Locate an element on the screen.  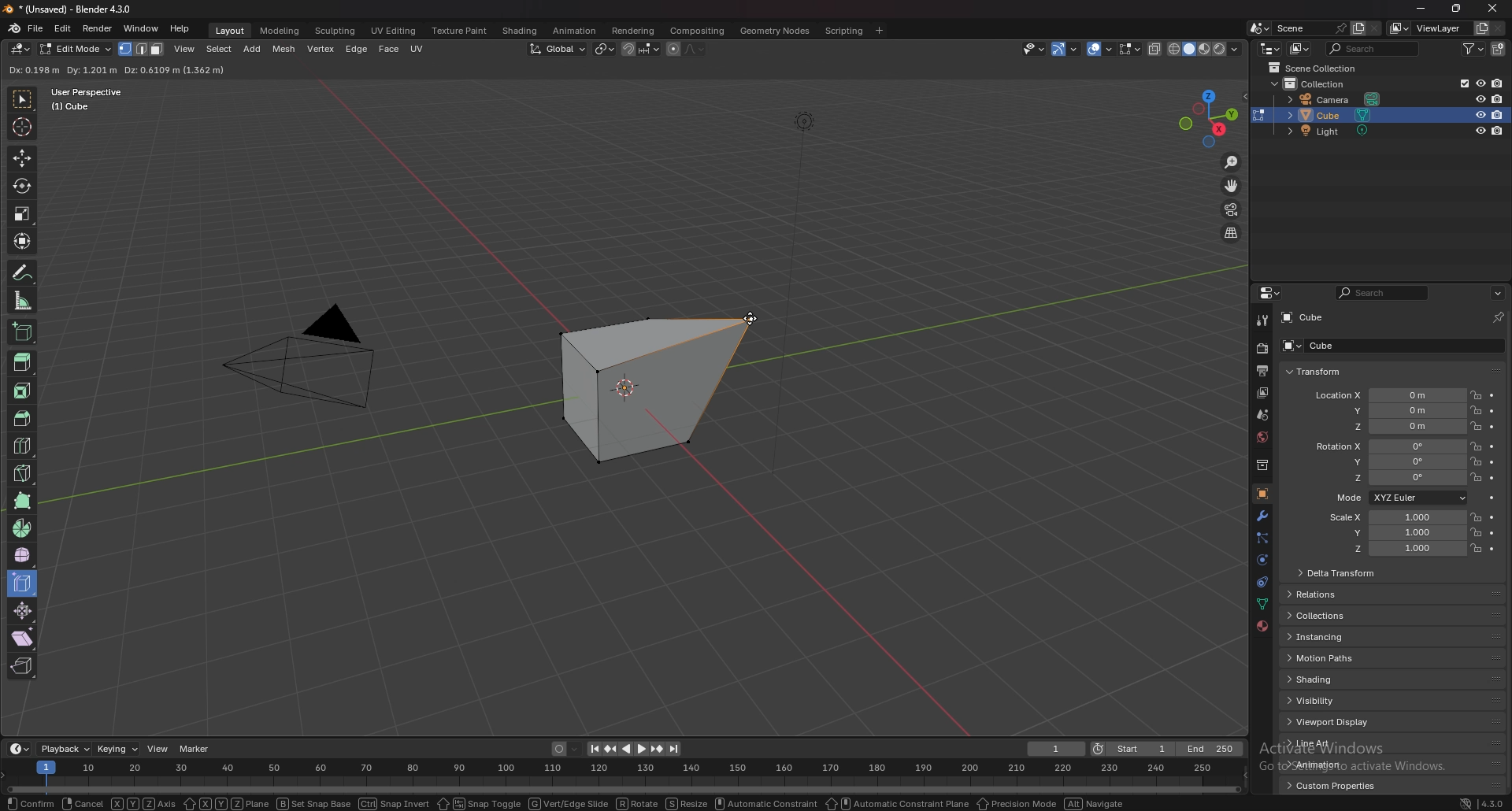
render is located at coordinates (1261, 349).